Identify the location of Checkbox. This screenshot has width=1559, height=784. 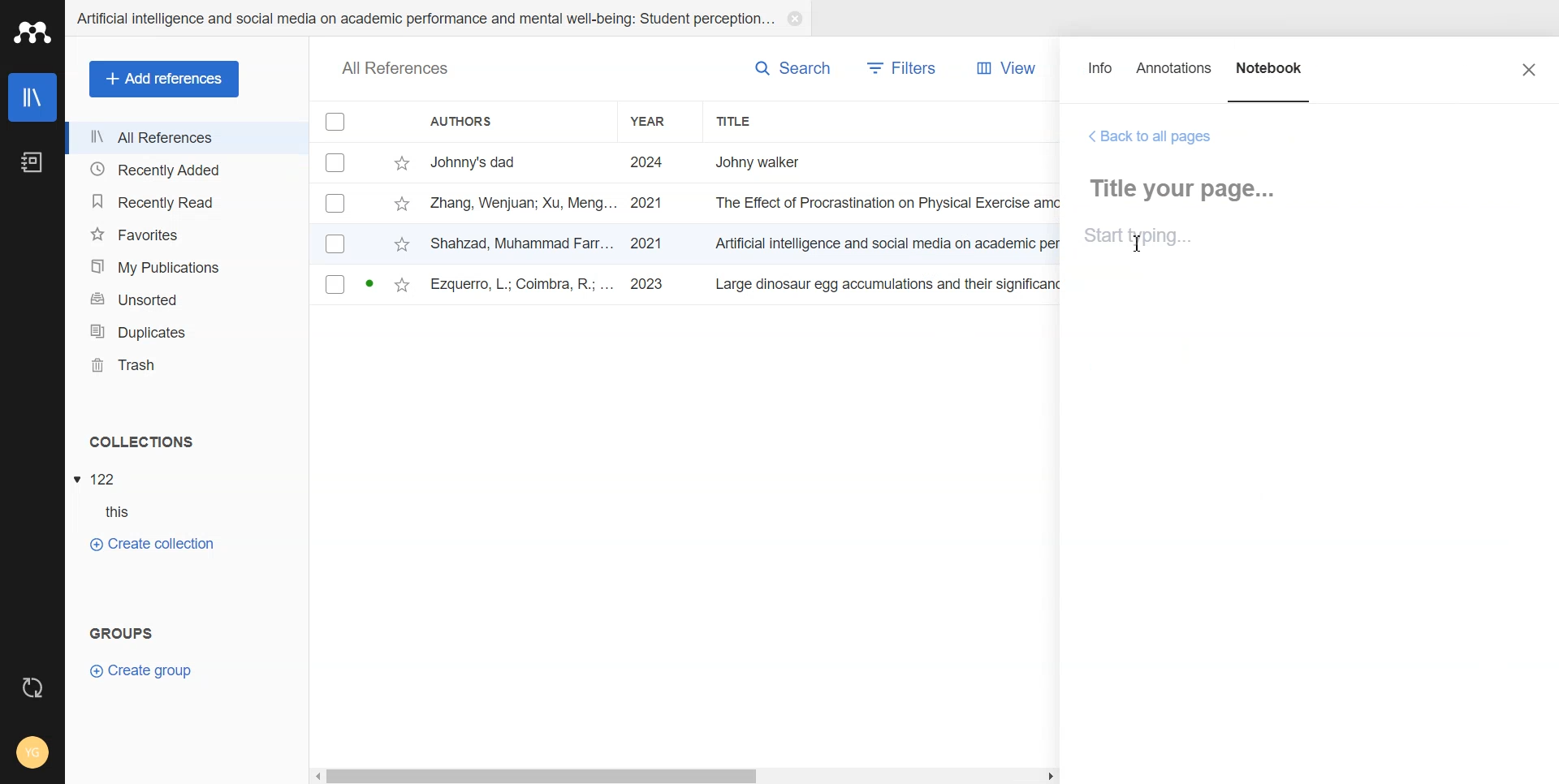
(338, 162).